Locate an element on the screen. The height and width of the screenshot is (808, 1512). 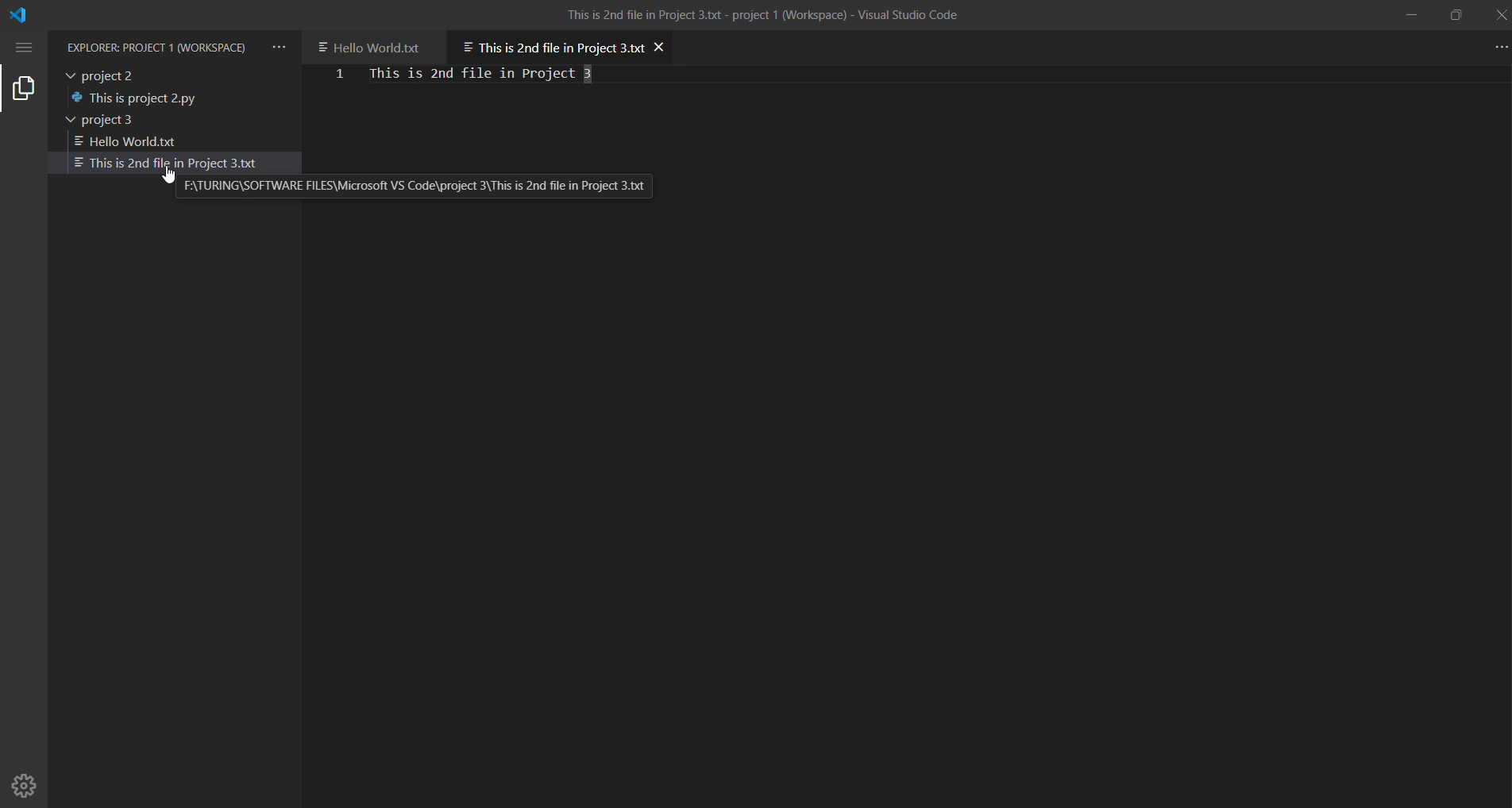
second file in project 3 is located at coordinates (184, 164).